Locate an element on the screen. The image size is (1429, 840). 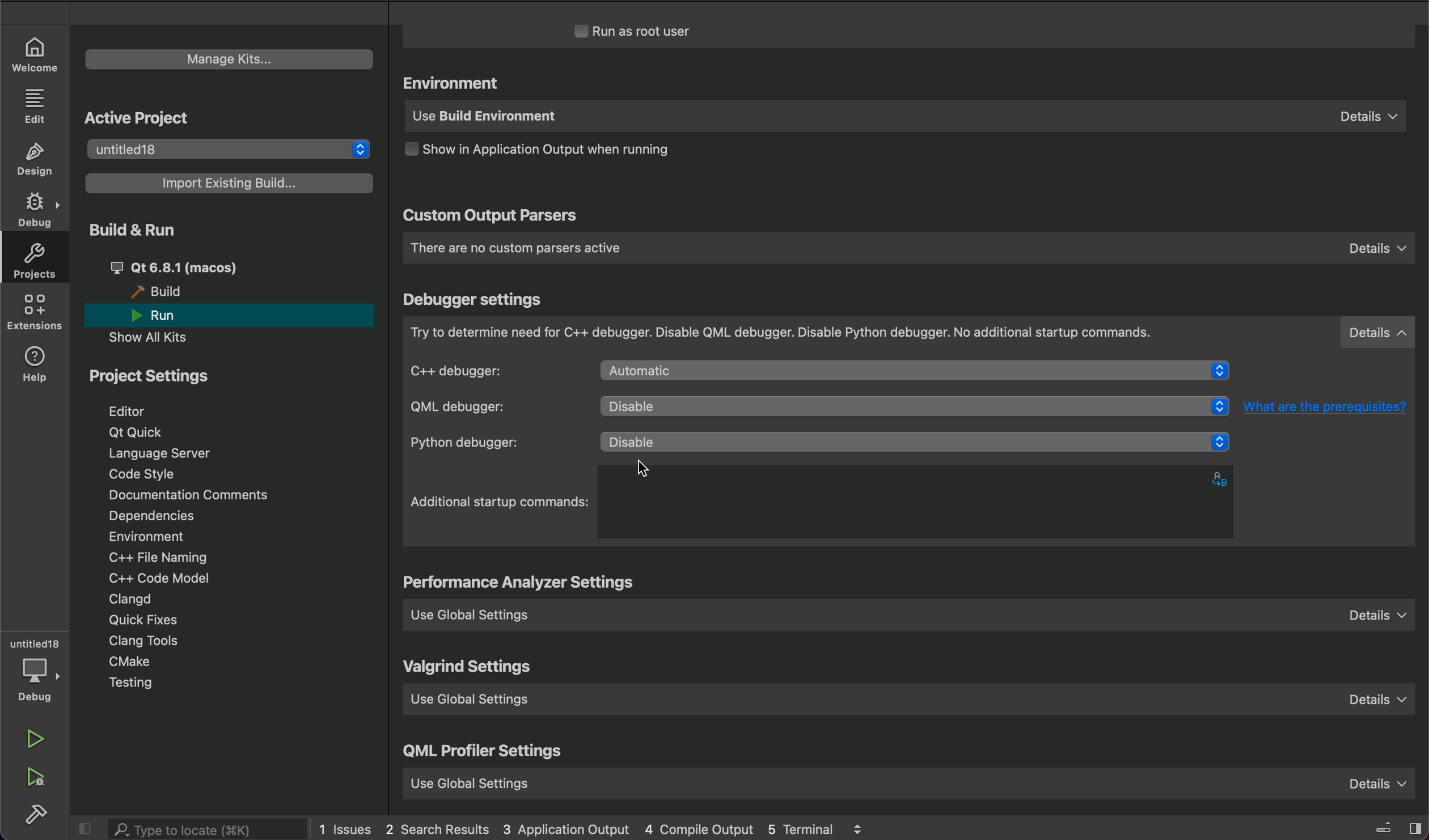
valgrind is located at coordinates (470, 668).